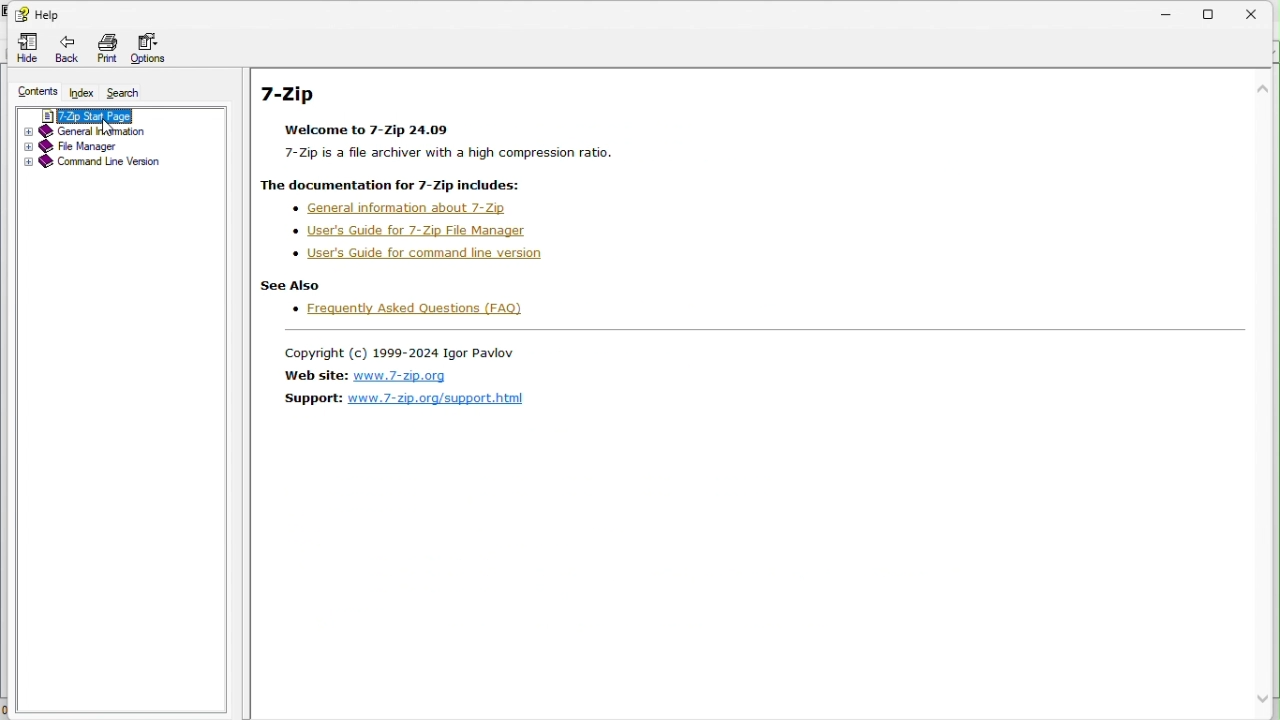 The width and height of the screenshot is (1280, 720). I want to click on Copyright, so click(392, 353).